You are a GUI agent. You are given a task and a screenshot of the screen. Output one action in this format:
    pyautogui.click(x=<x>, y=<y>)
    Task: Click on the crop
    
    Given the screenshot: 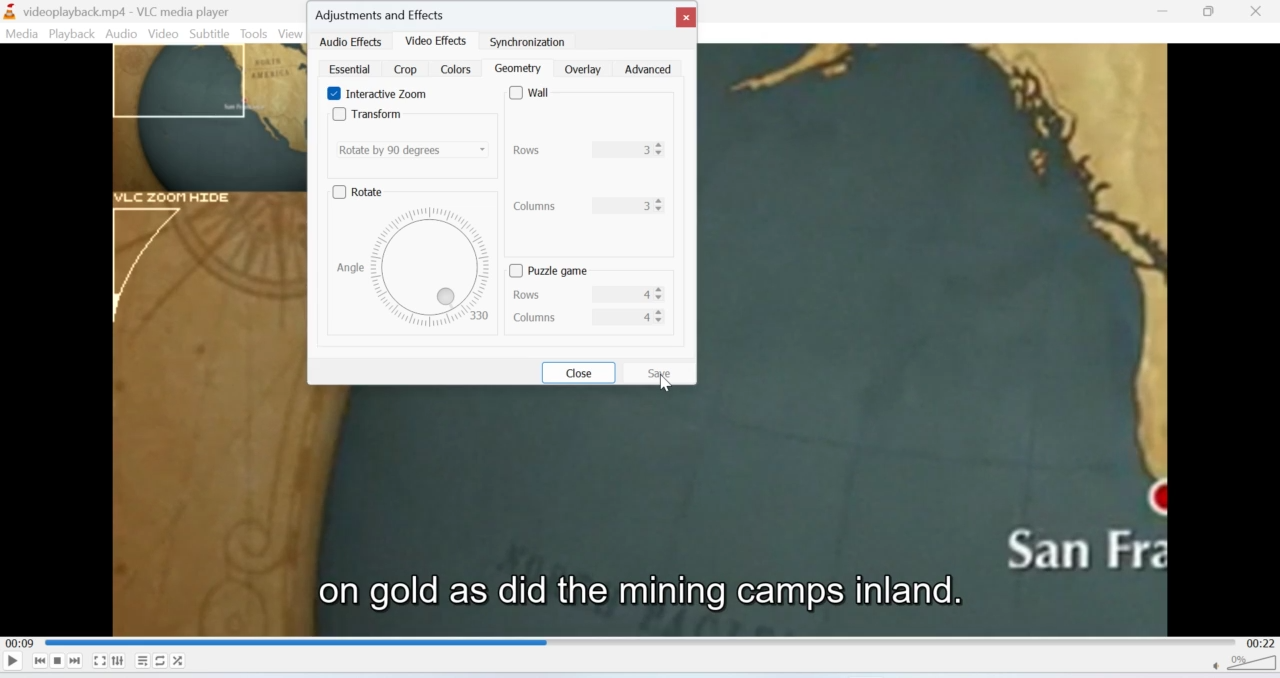 What is the action you would take?
    pyautogui.click(x=404, y=69)
    